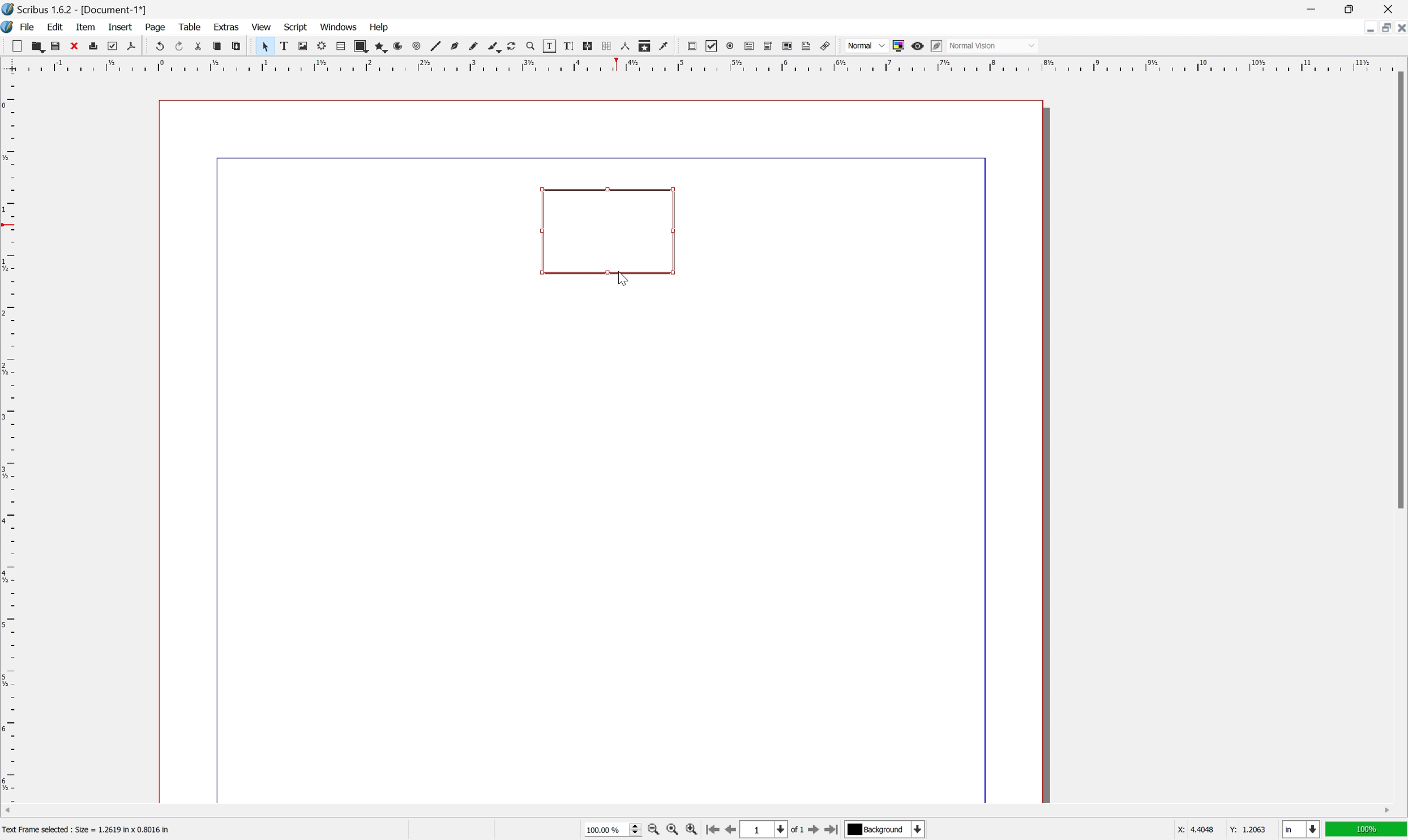  What do you see at coordinates (625, 47) in the screenshot?
I see `measurements` at bounding box center [625, 47].